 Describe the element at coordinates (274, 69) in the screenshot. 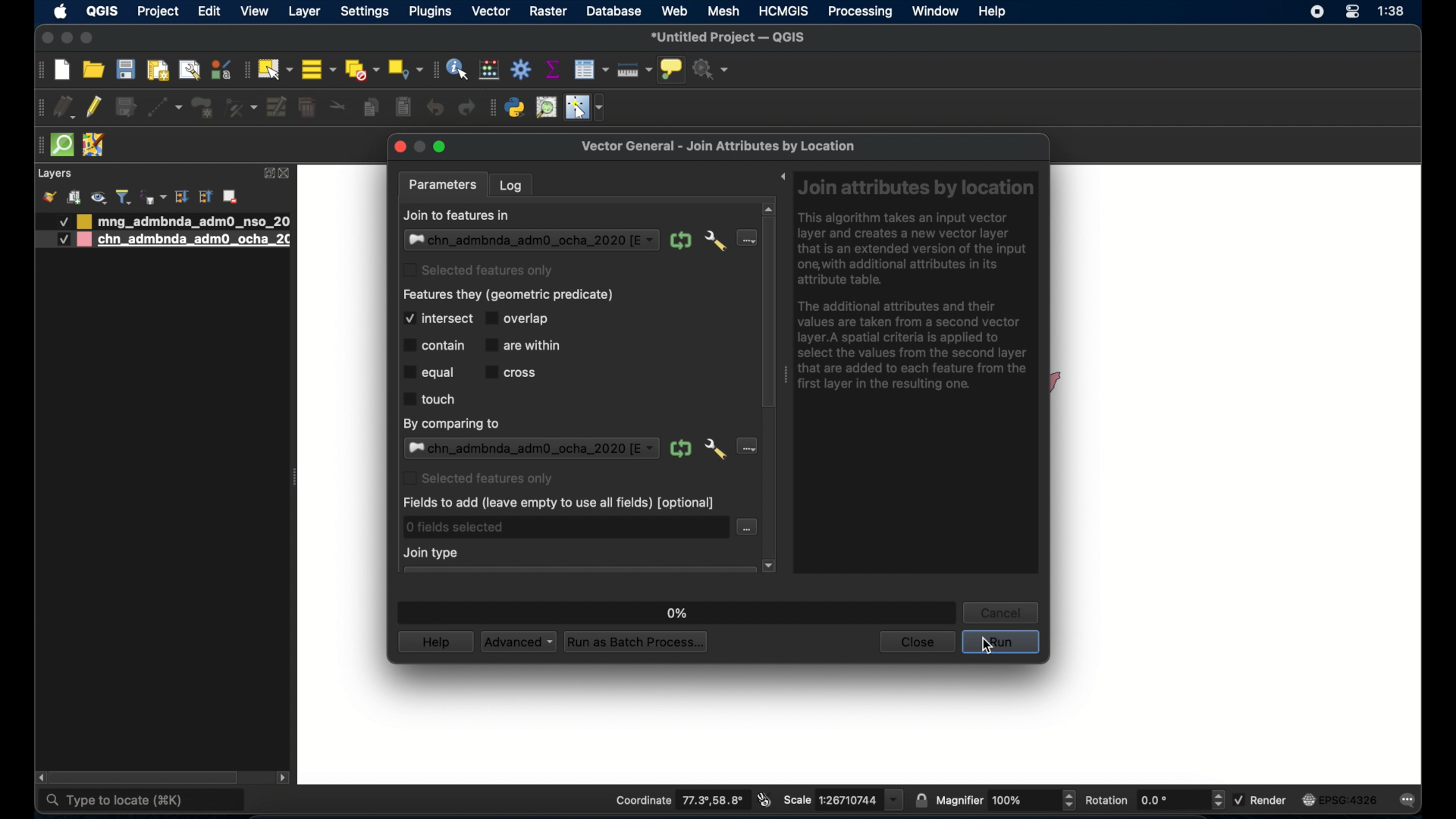

I see `select features by area or single click` at that location.